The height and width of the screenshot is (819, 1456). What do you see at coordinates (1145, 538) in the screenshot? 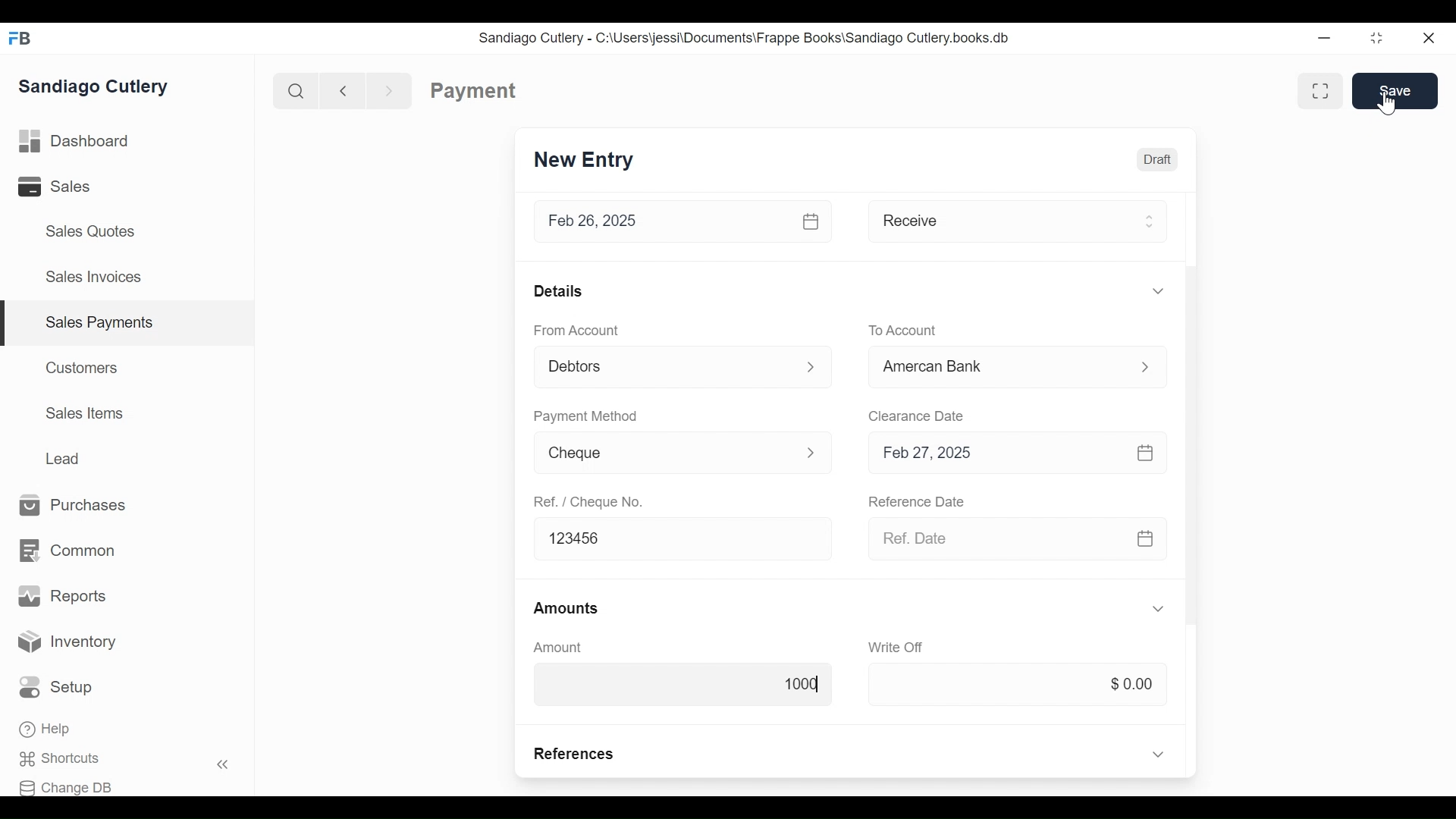
I see `Calendar` at bounding box center [1145, 538].